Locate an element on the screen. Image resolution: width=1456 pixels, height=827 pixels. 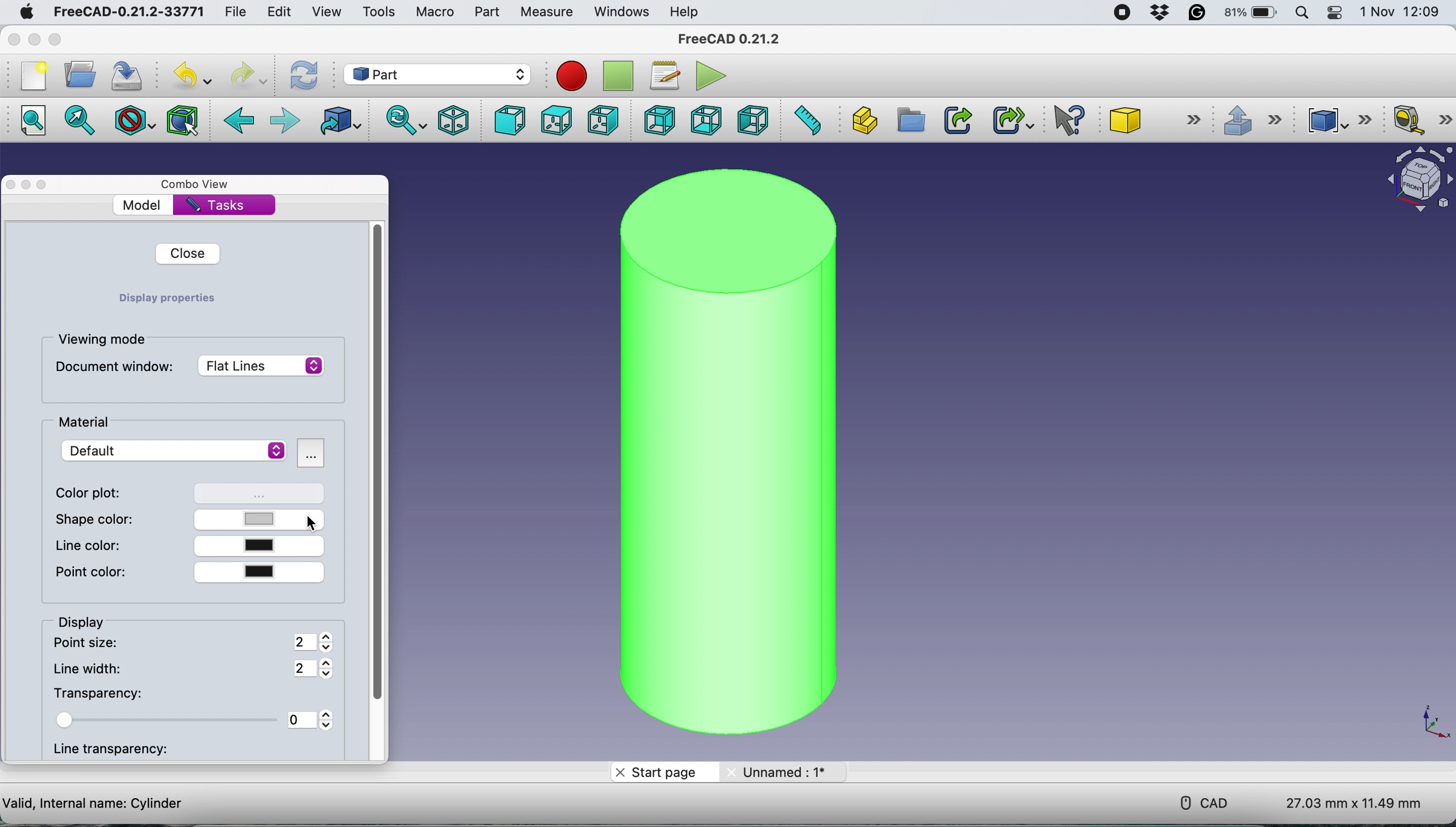
windows is located at coordinates (623, 14).